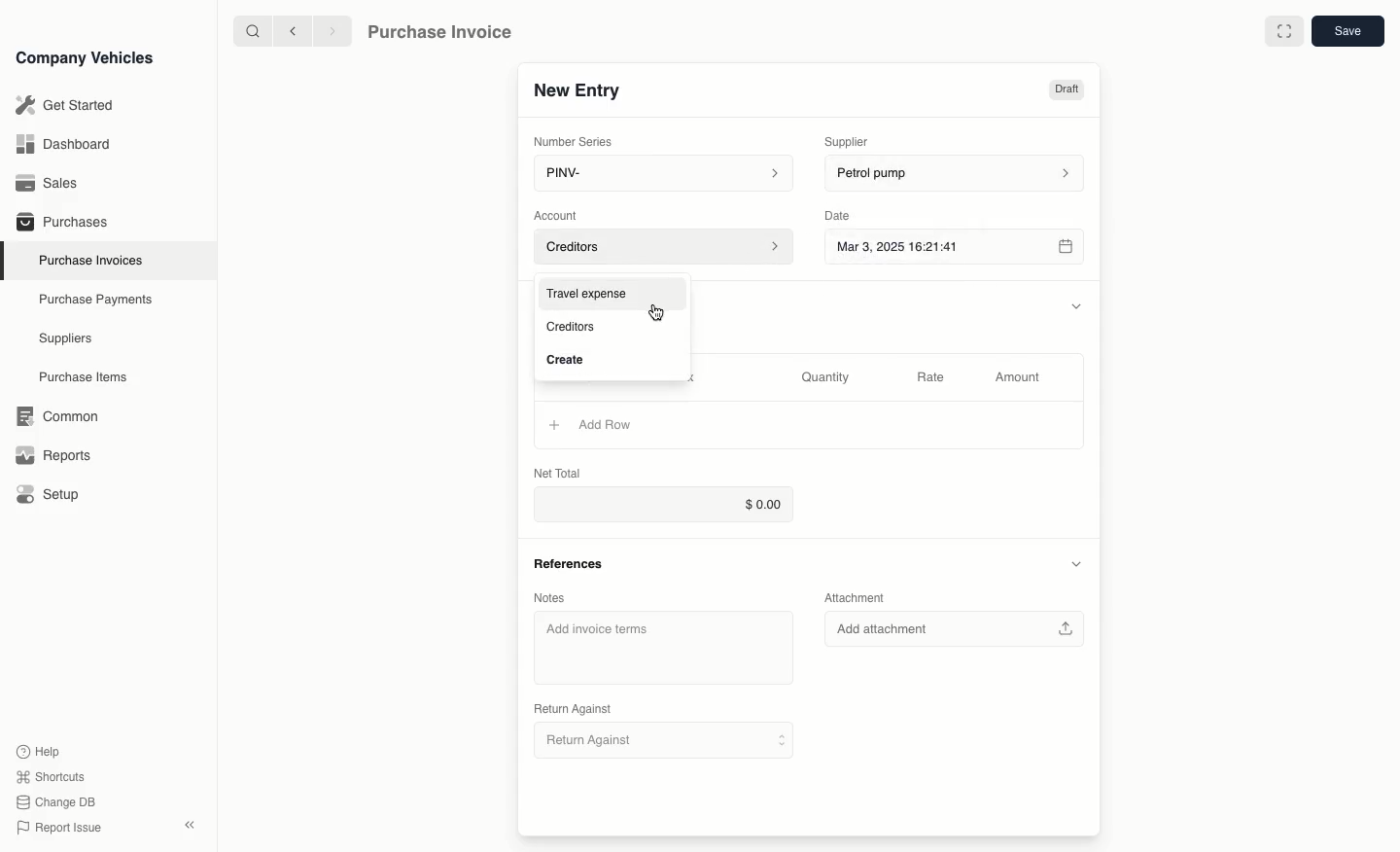  What do you see at coordinates (52, 495) in the screenshot?
I see `Setup` at bounding box center [52, 495].